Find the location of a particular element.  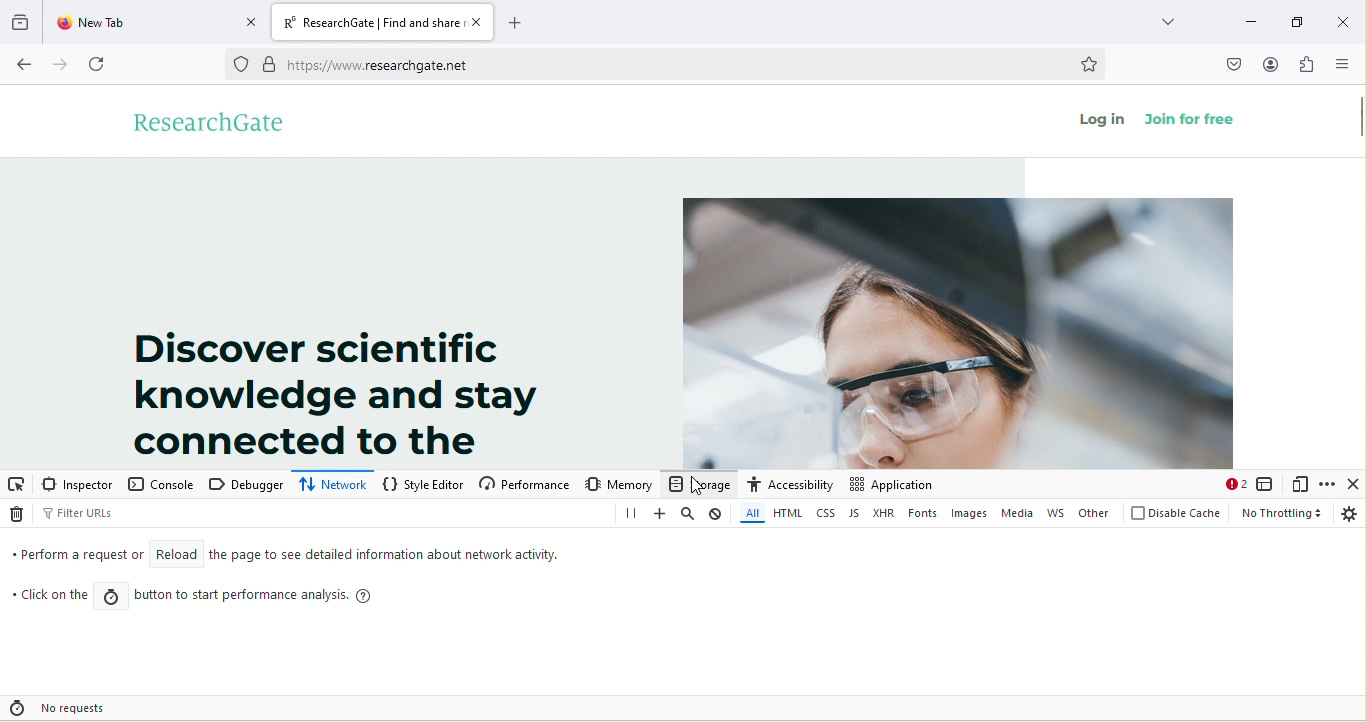

https://www.researchgate.net is located at coordinates (674, 65).